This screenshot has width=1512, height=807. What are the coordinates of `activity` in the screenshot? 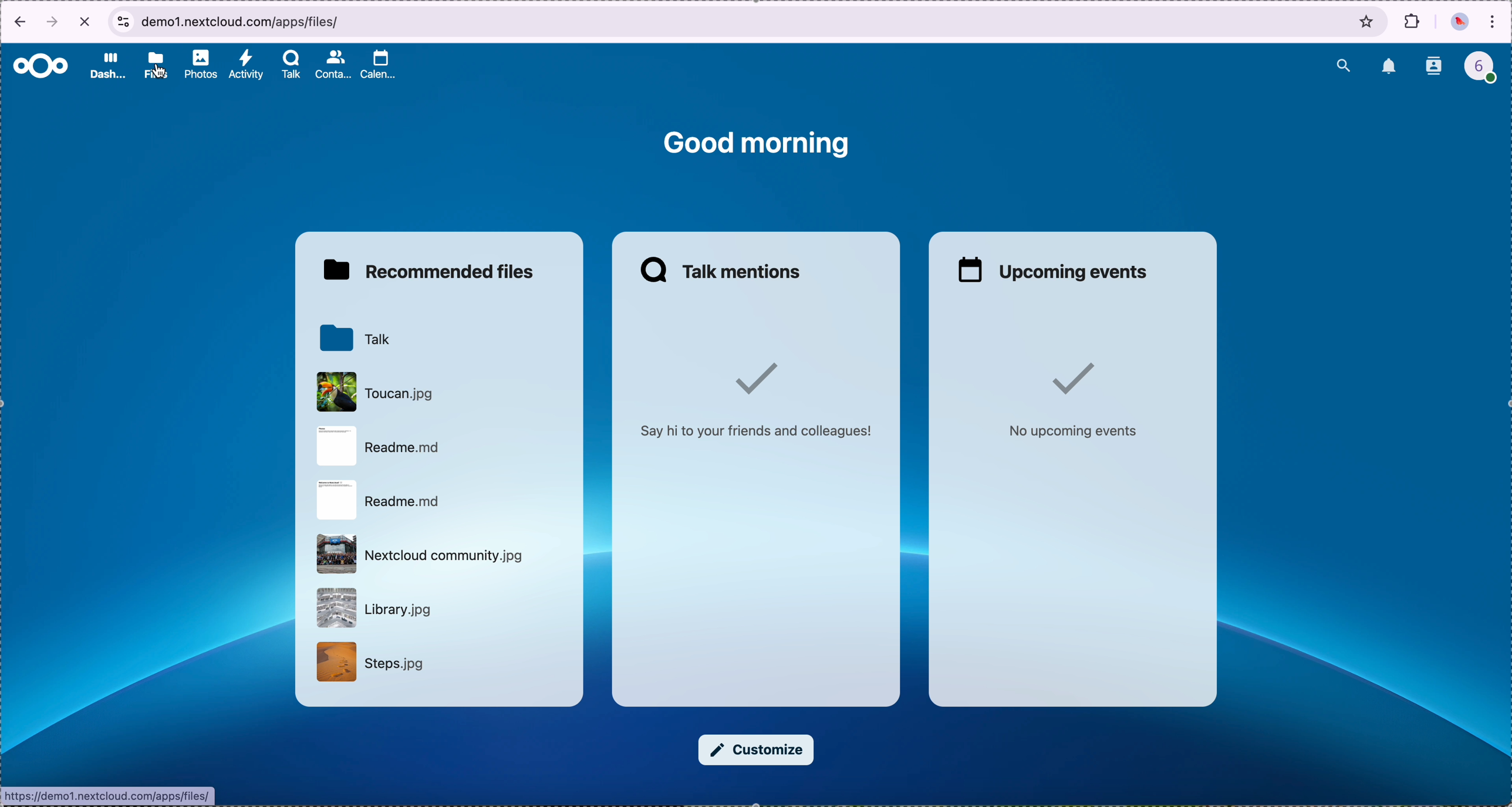 It's located at (245, 65).